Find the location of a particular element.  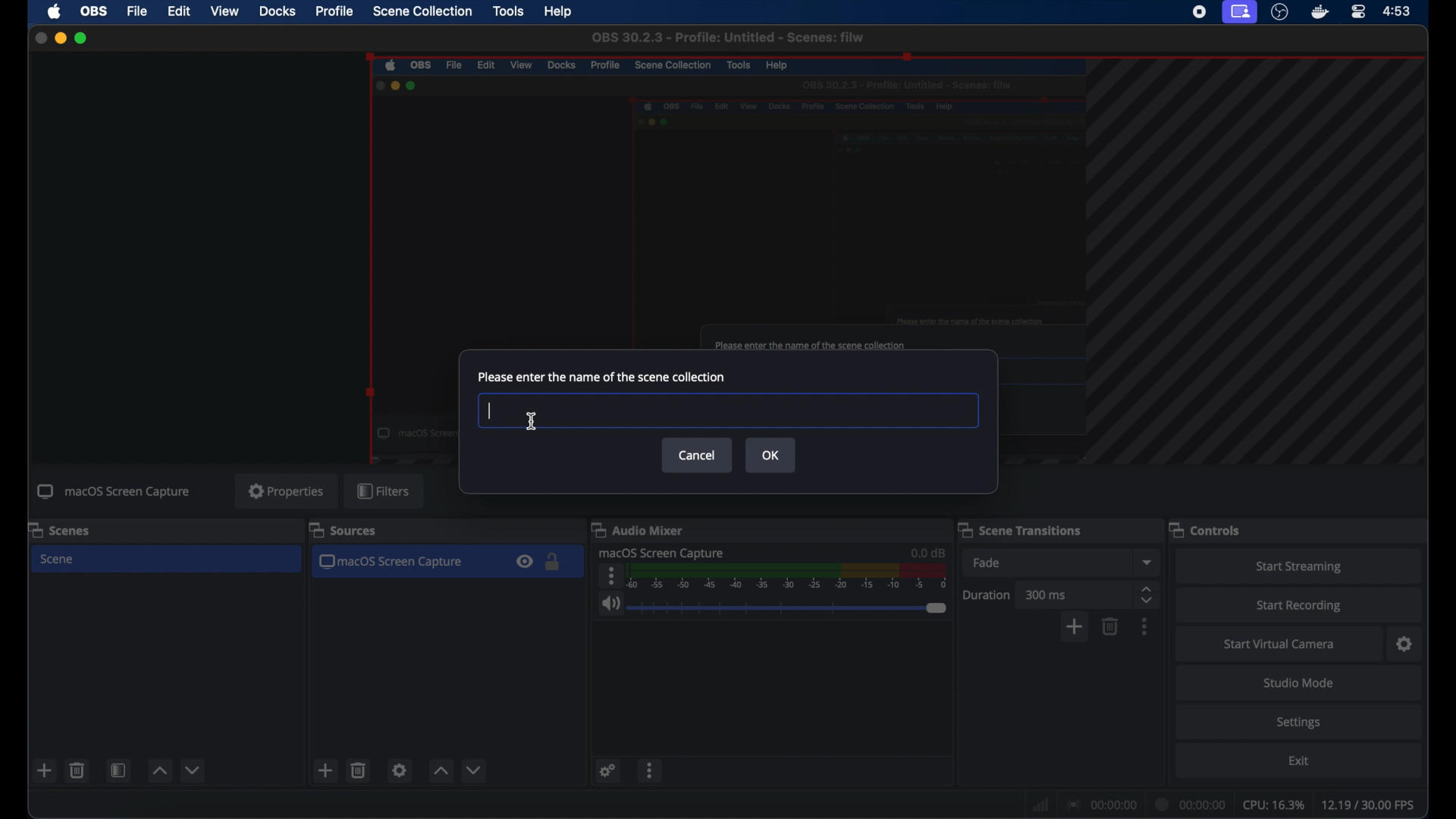

I beam cursor is located at coordinates (532, 421).